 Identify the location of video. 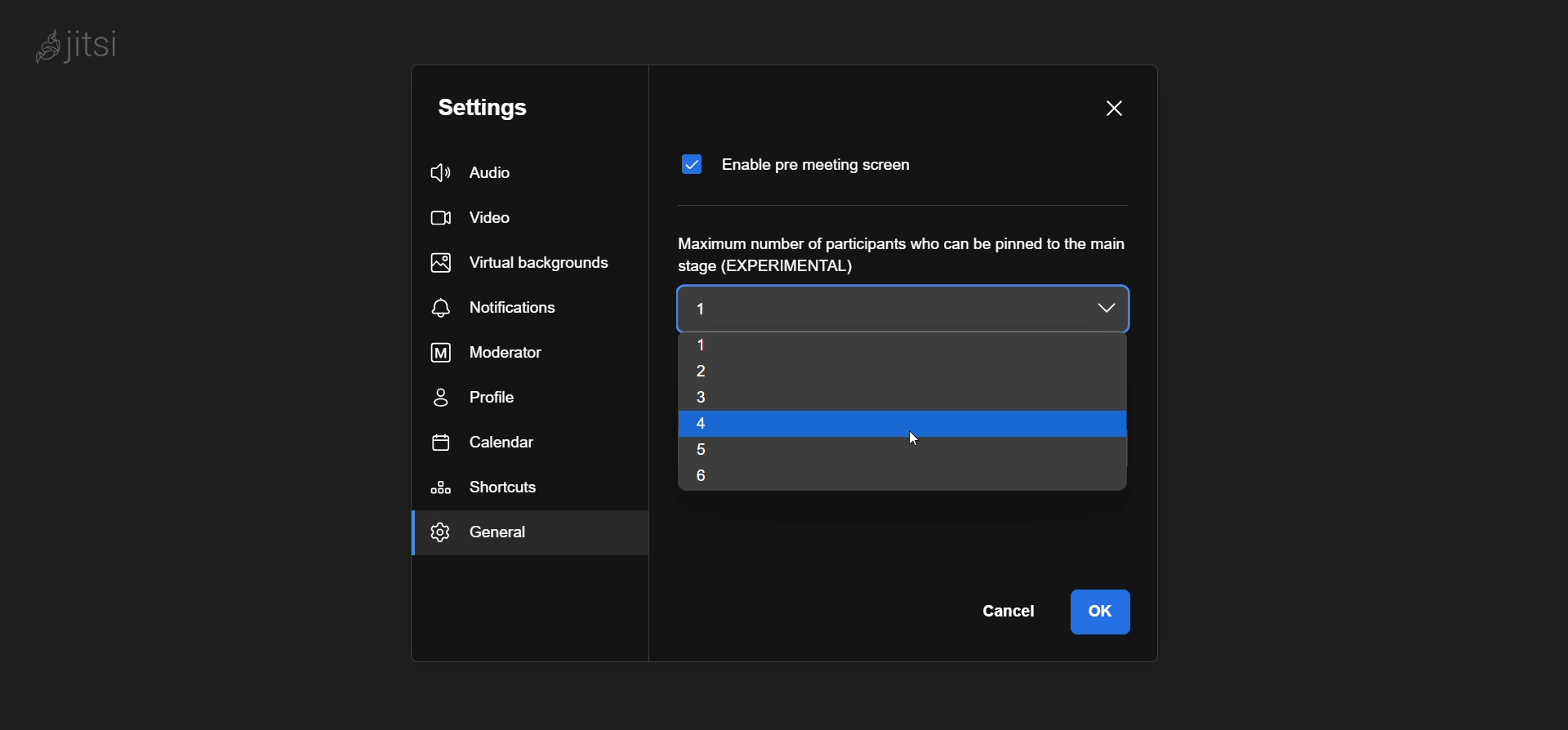
(470, 220).